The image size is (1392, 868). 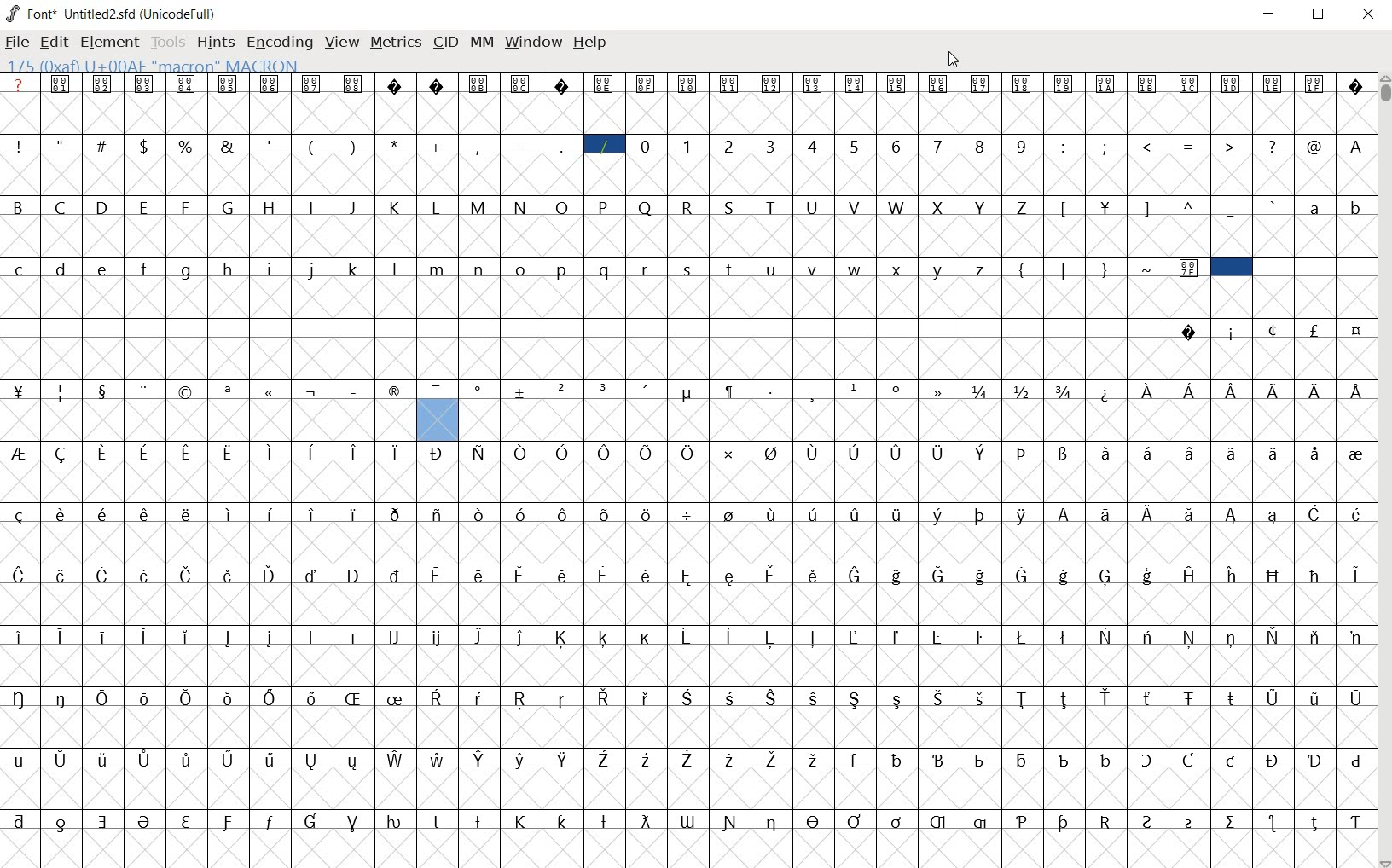 What do you see at coordinates (1273, 515) in the screenshot?
I see `Symbol` at bounding box center [1273, 515].